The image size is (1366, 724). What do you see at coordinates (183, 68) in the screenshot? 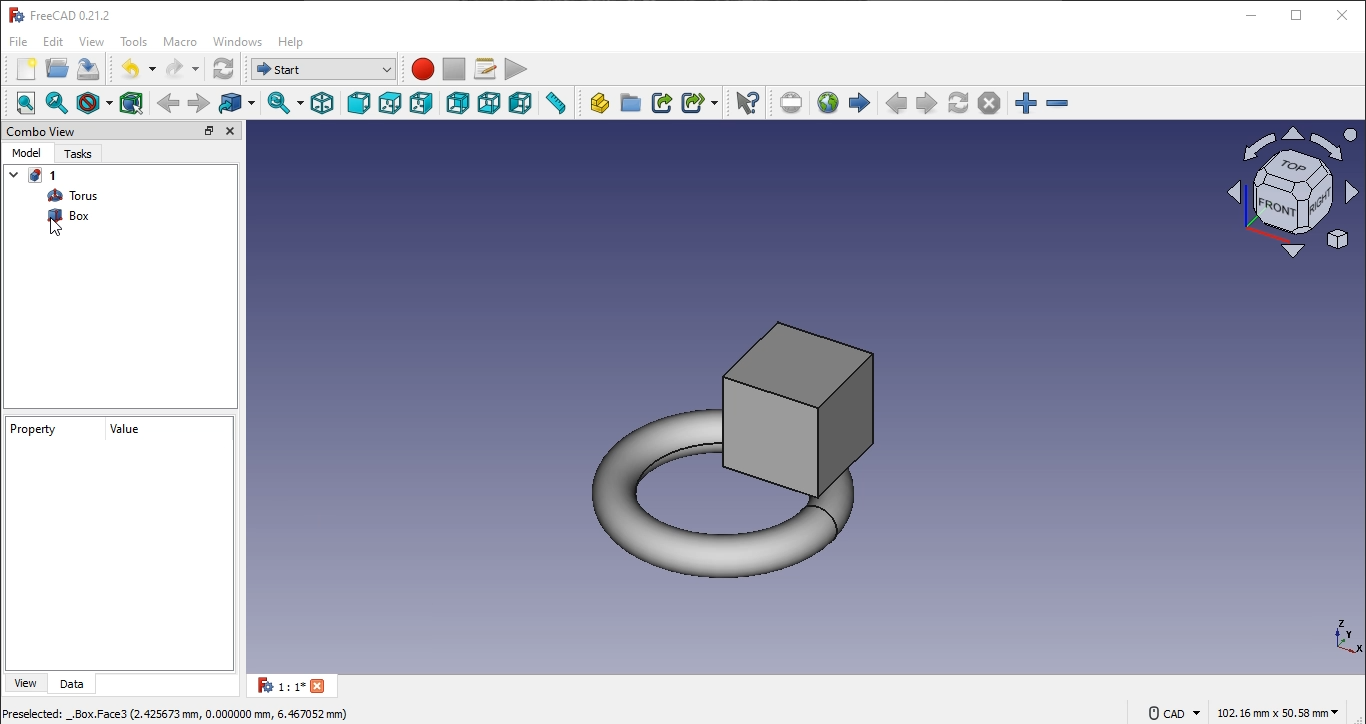
I see `redo` at bounding box center [183, 68].